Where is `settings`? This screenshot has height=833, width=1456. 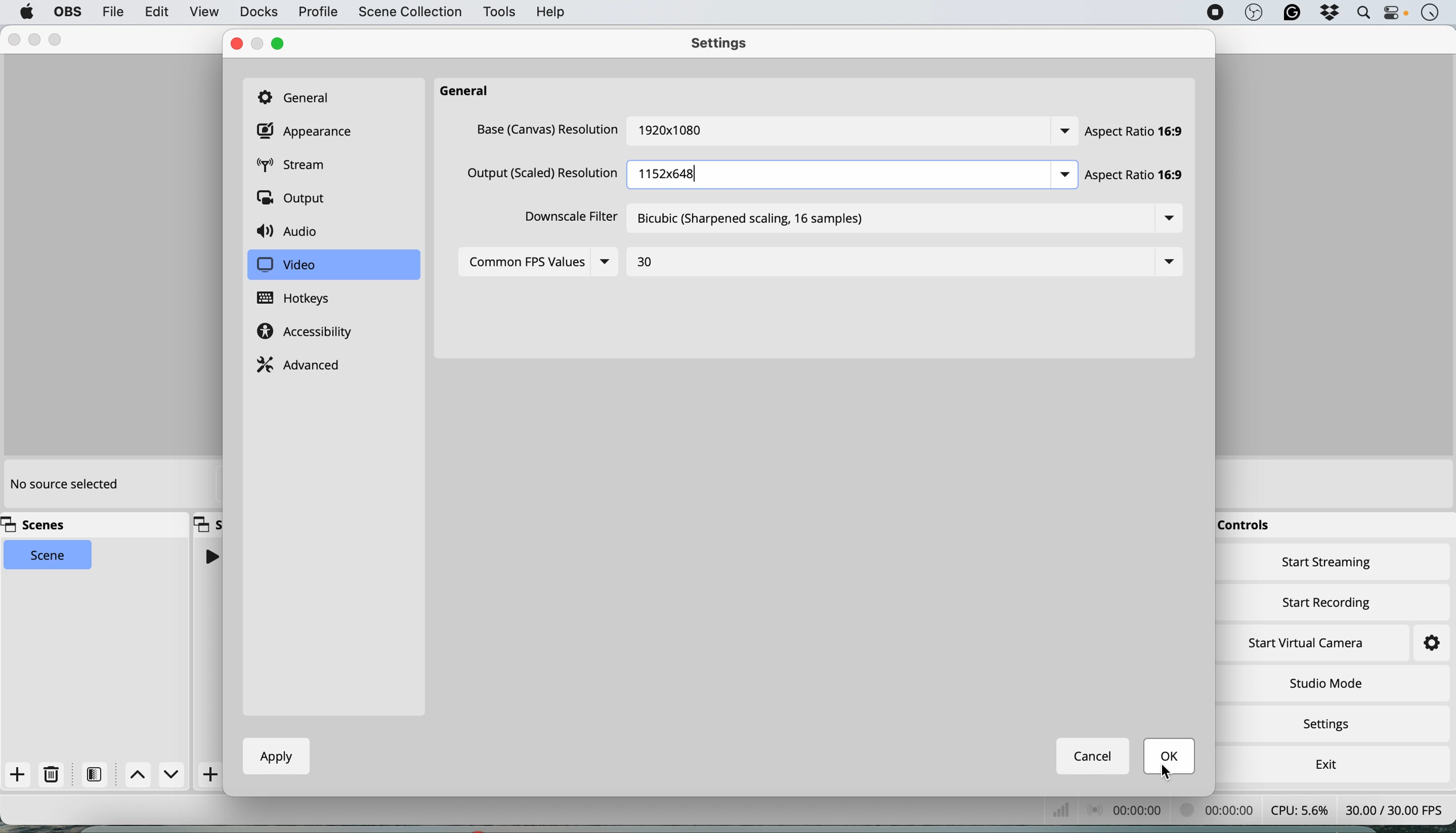 settings is located at coordinates (1331, 725).